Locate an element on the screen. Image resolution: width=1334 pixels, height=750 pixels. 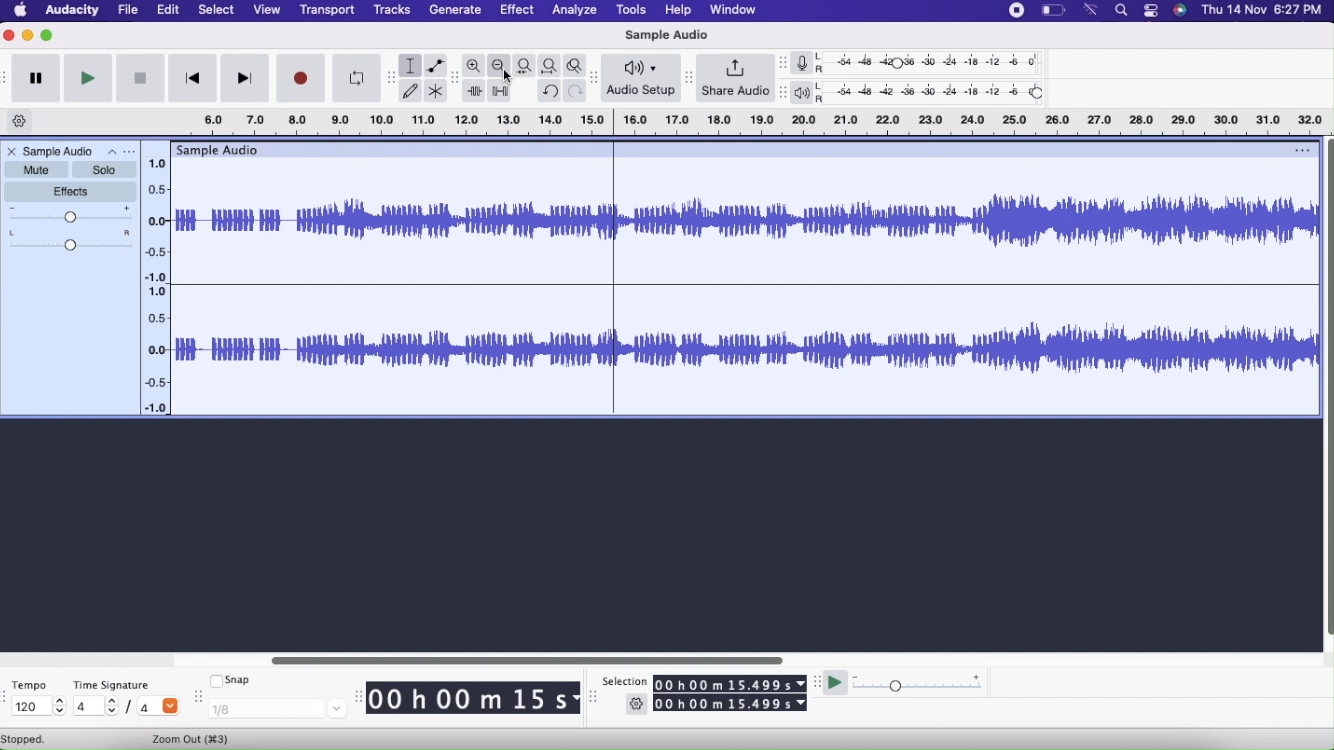
wifi is located at coordinates (1094, 11).